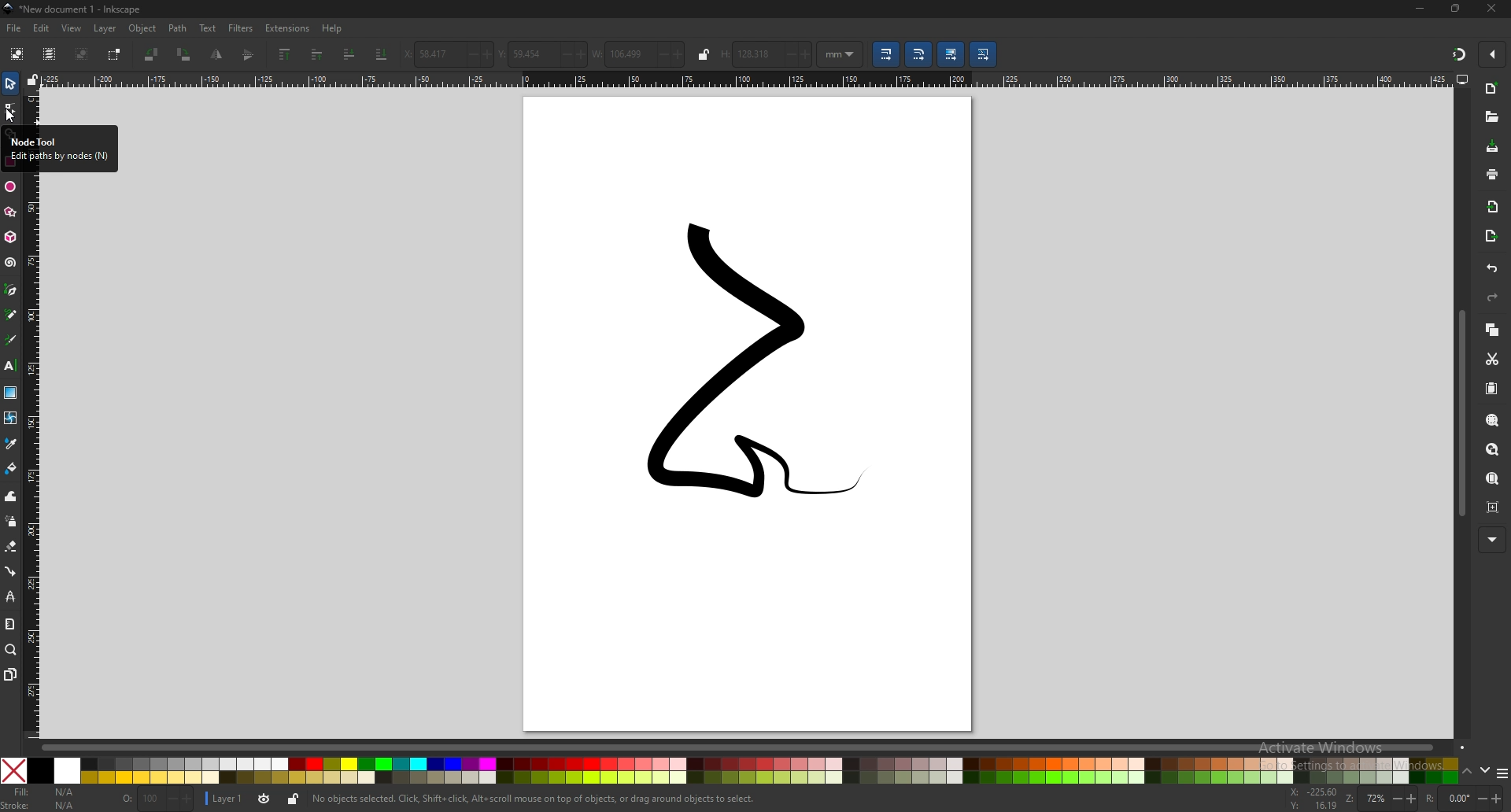 This screenshot has height=812, width=1511. I want to click on rotate 90 degree ccw, so click(153, 54).